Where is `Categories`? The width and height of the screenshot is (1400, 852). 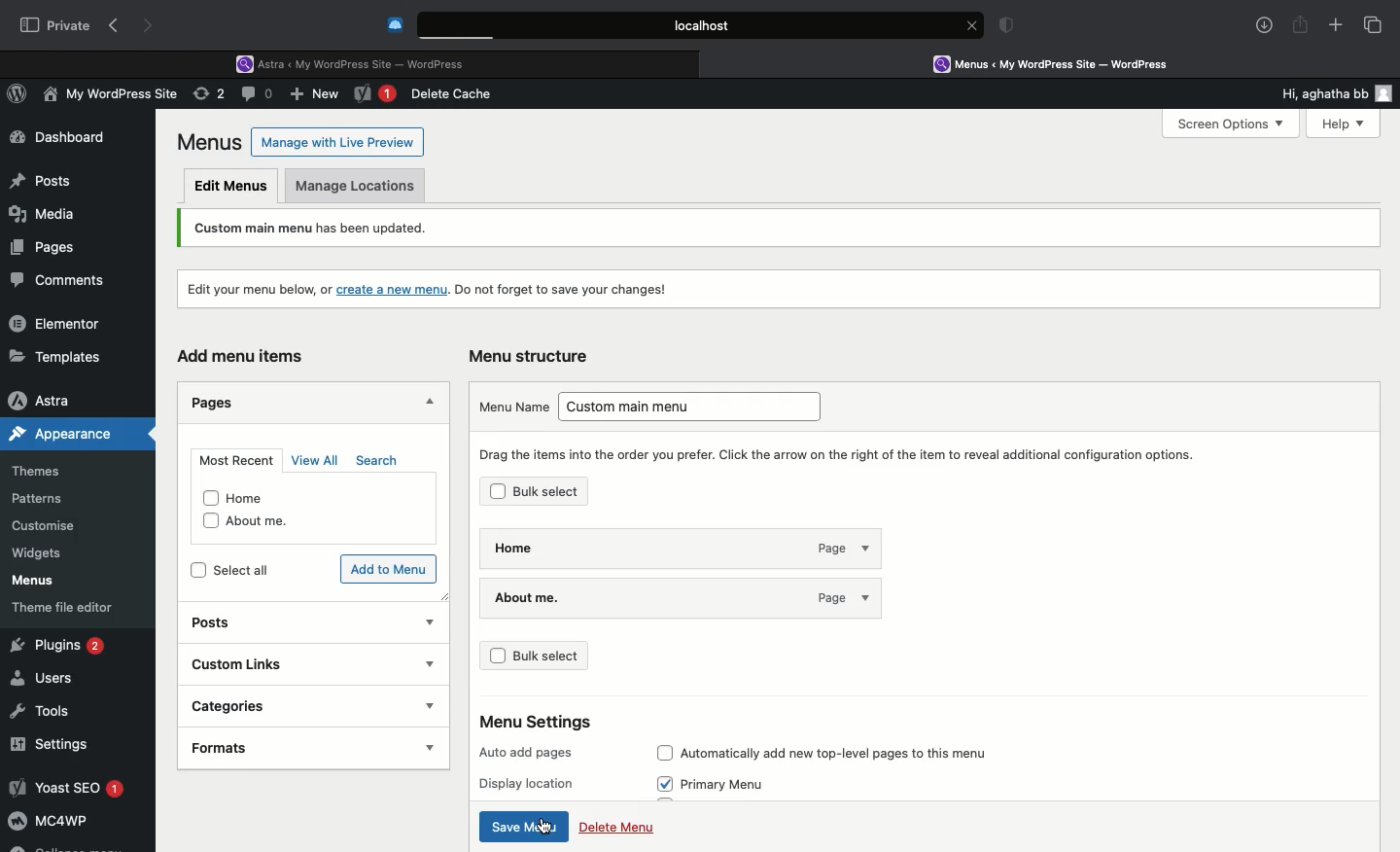
Categories is located at coordinates (247, 706).